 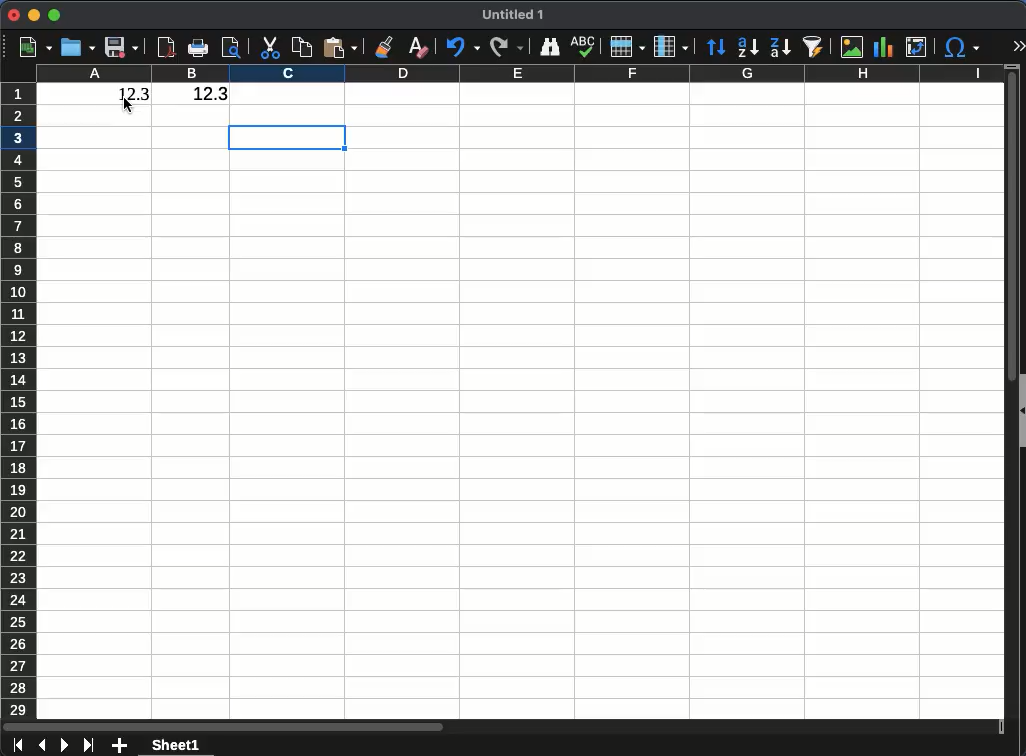 What do you see at coordinates (1012, 225) in the screenshot?
I see `Vertical slide bar` at bounding box center [1012, 225].